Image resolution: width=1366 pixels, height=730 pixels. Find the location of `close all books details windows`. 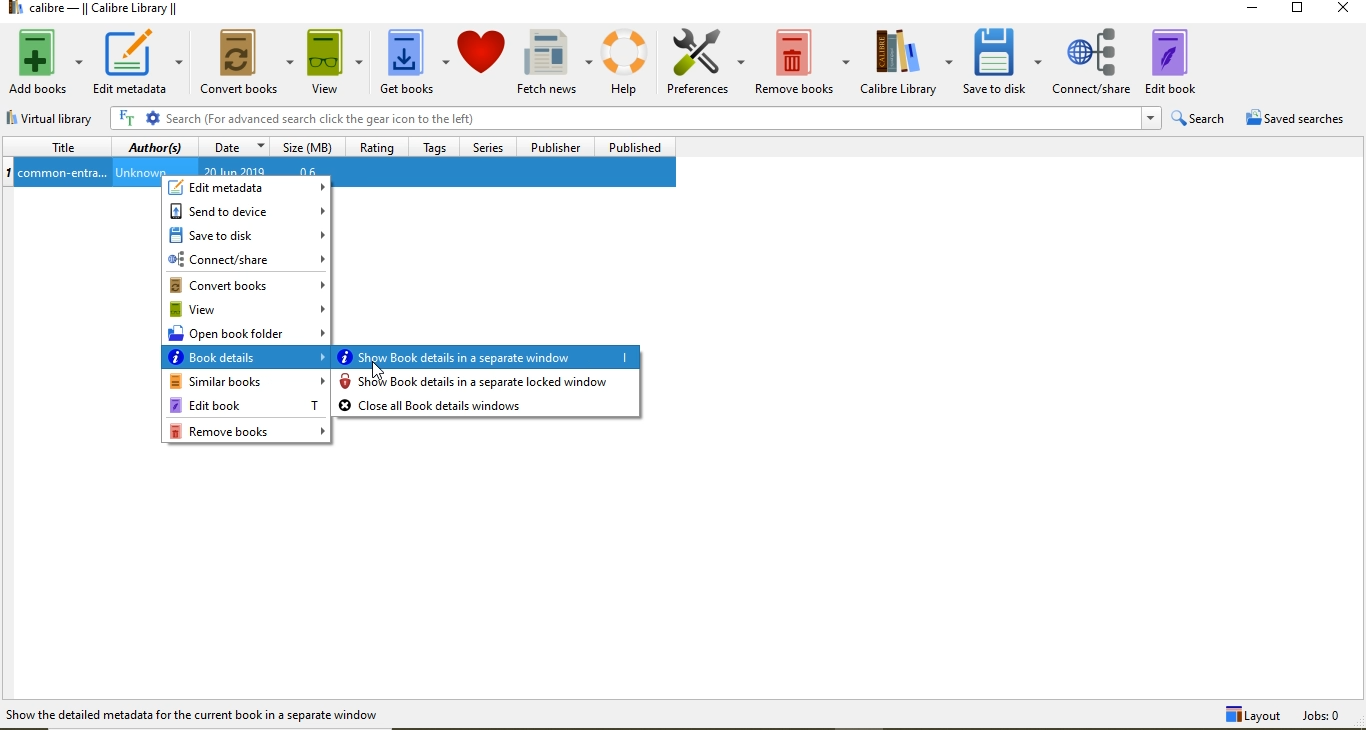

close all books details windows is located at coordinates (488, 406).